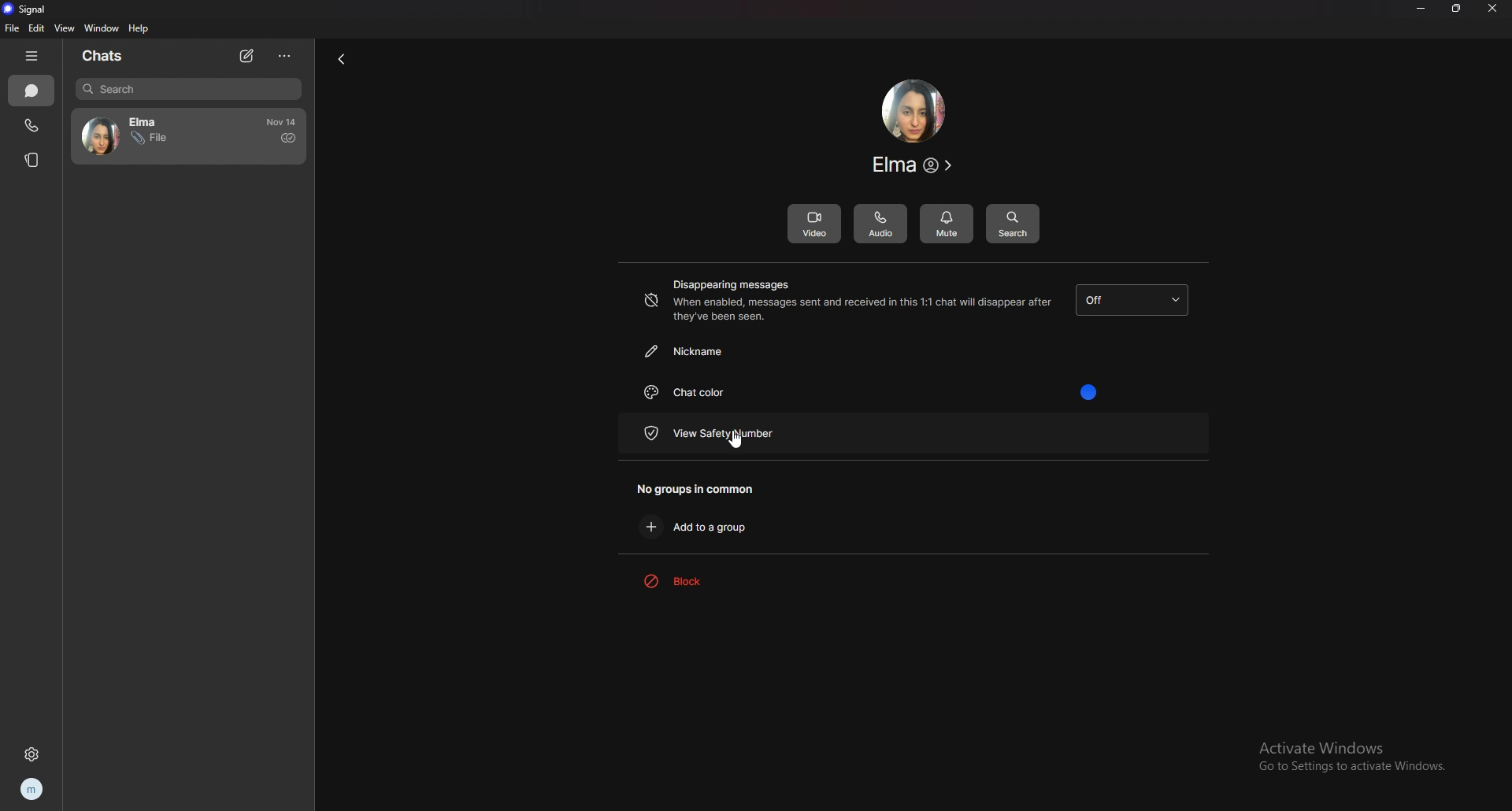  What do you see at coordinates (31, 127) in the screenshot?
I see `call` at bounding box center [31, 127].